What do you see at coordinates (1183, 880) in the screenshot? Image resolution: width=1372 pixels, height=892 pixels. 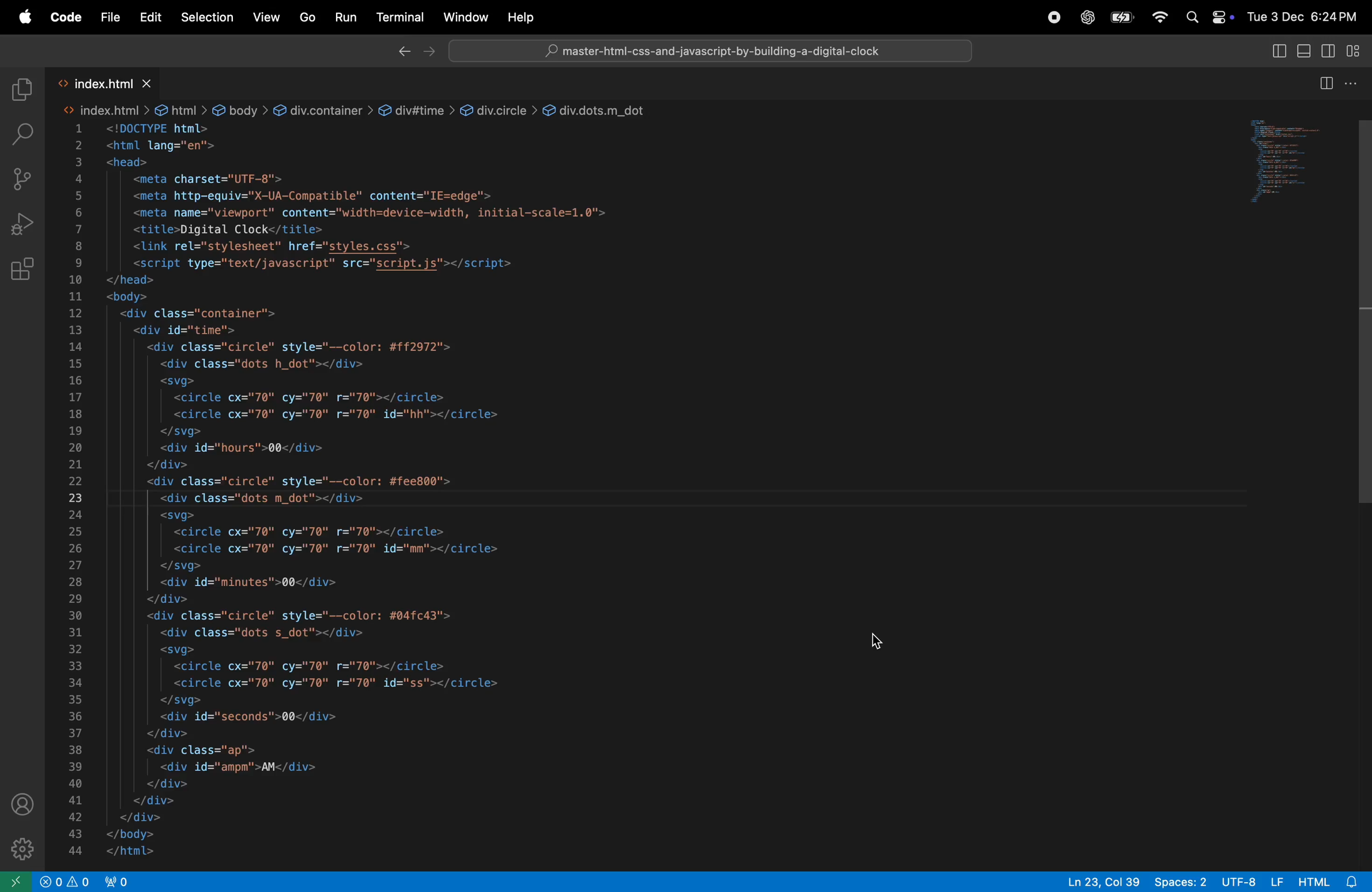 I see `spaces 2` at bounding box center [1183, 880].